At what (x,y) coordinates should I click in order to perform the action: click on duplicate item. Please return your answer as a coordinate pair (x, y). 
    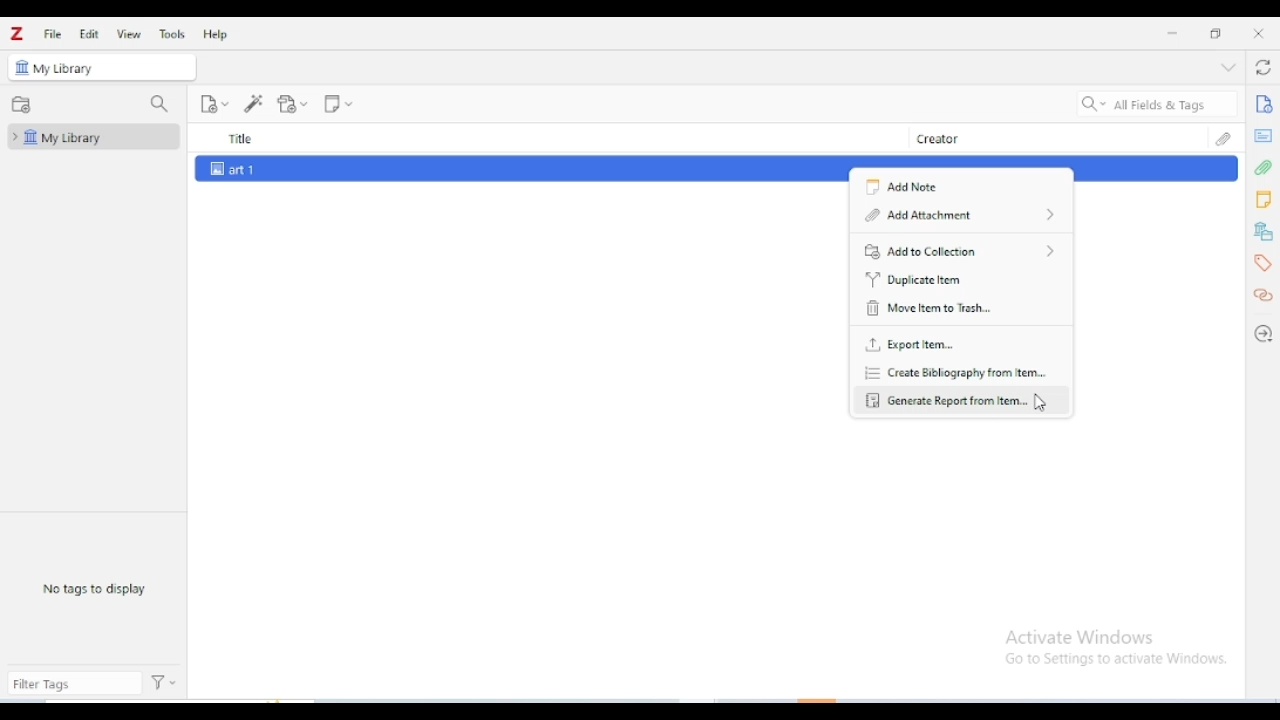
    Looking at the image, I should click on (918, 279).